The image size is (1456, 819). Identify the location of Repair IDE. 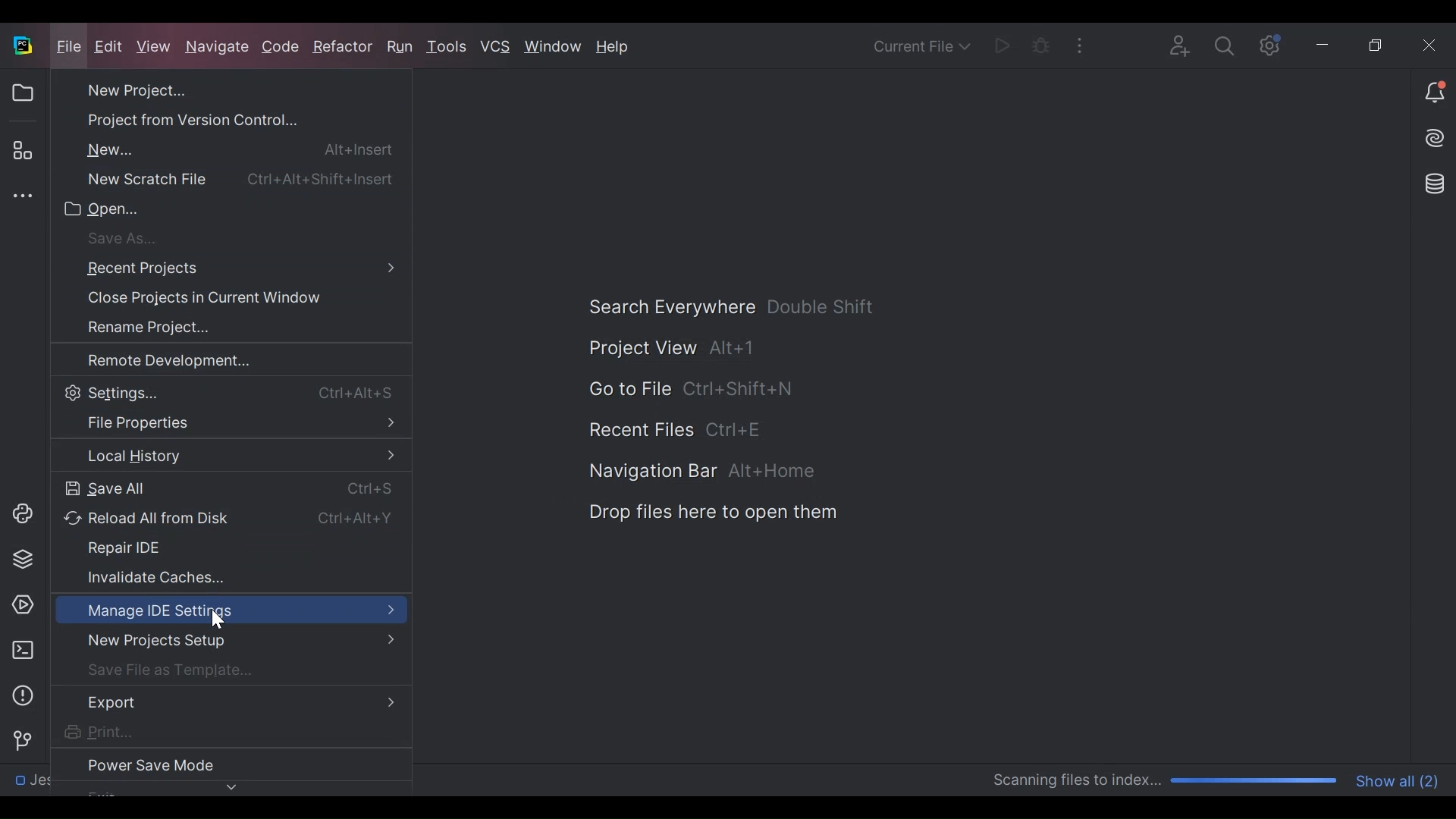
(220, 550).